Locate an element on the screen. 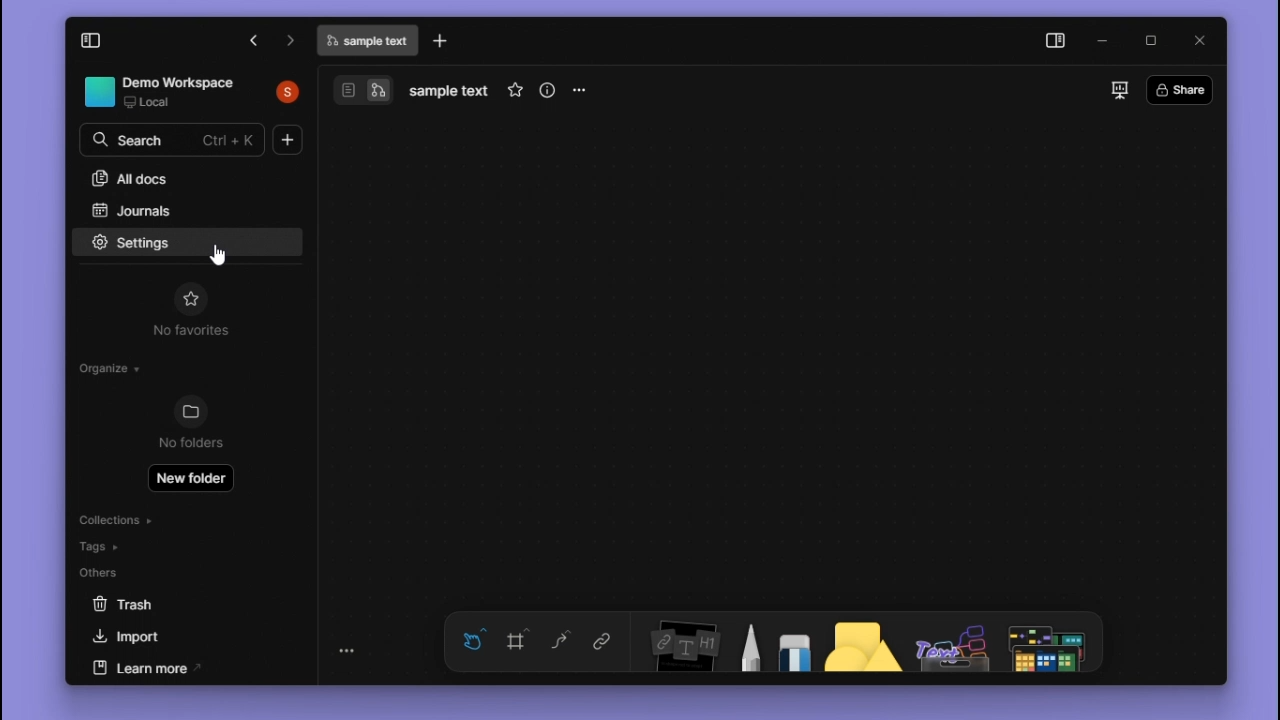  workspace name and details is located at coordinates (162, 93).